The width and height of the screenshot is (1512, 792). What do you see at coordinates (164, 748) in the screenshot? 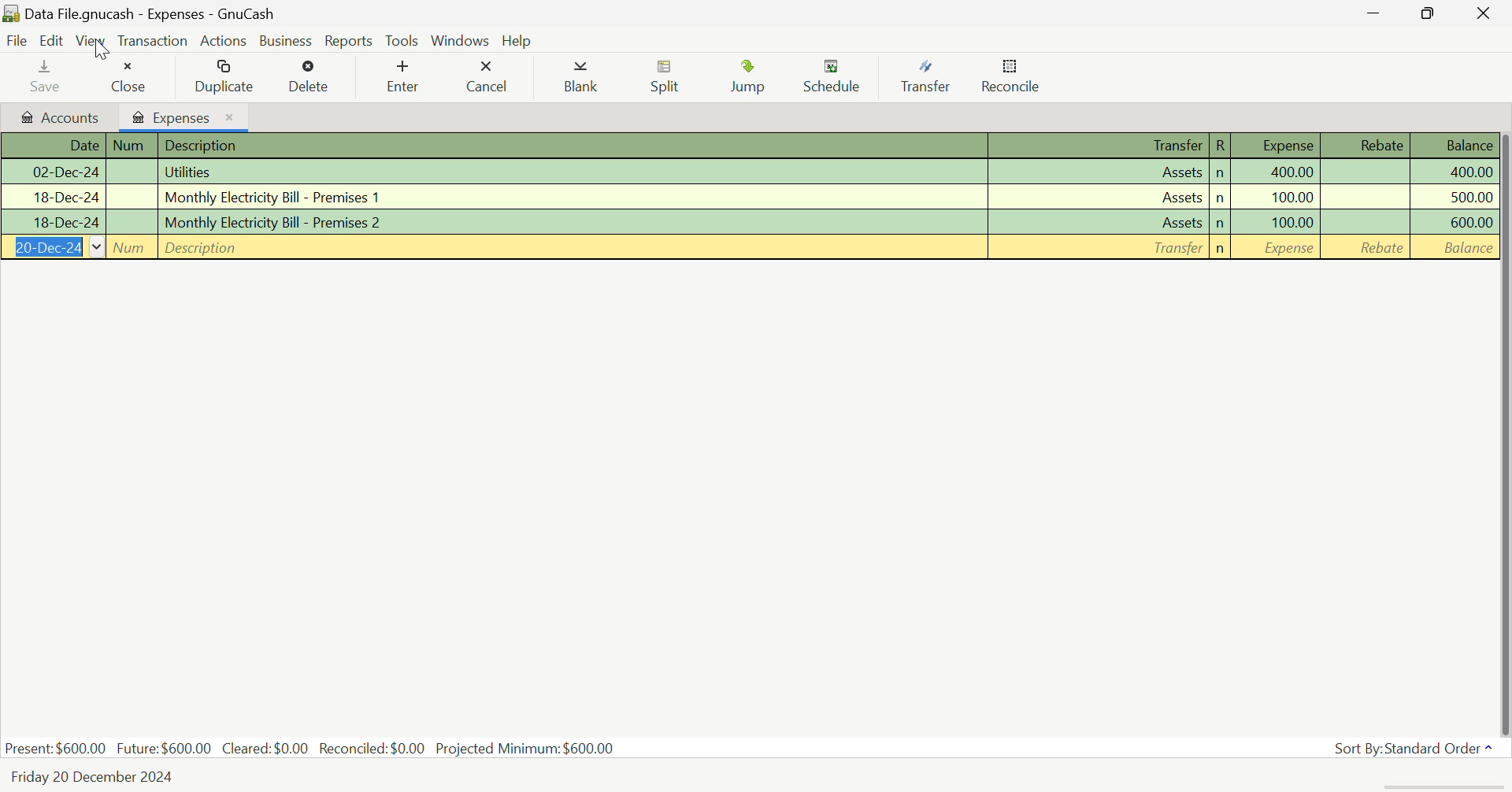
I see `Future` at bounding box center [164, 748].